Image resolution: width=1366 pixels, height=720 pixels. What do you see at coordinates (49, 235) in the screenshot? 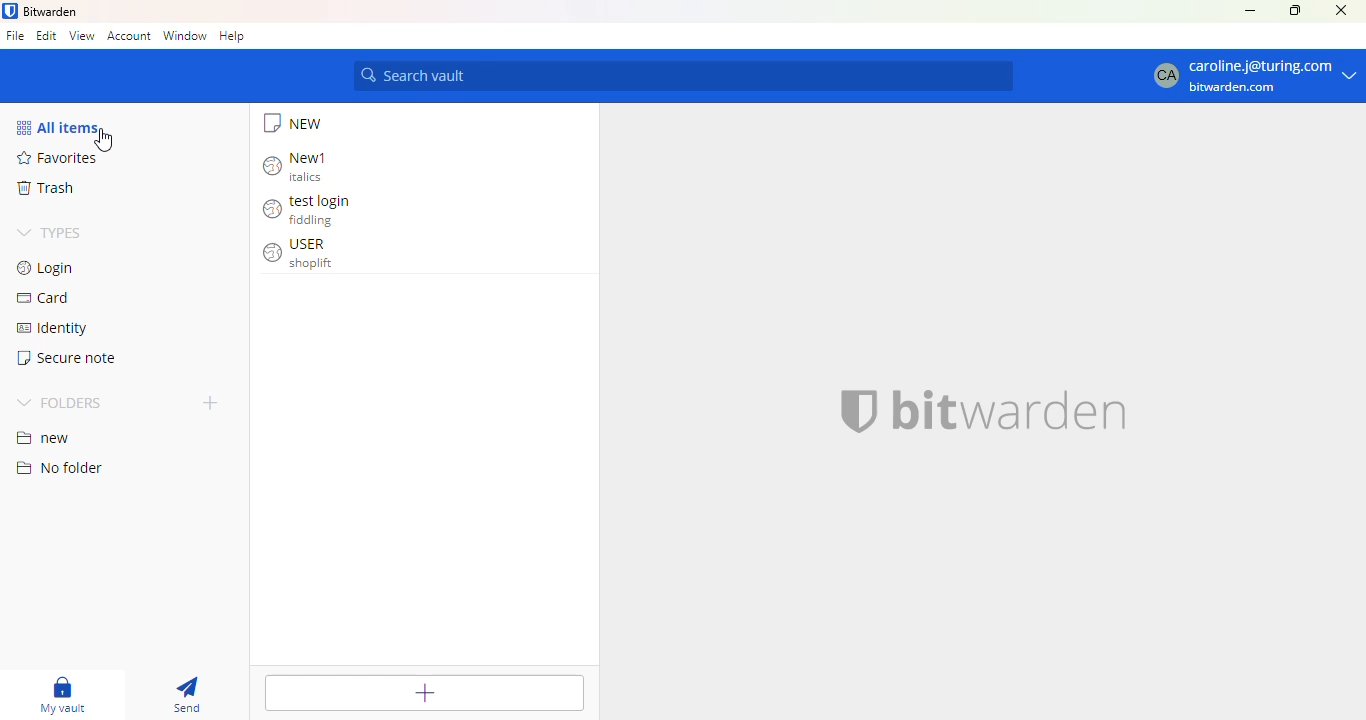
I see `types` at bounding box center [49, 235].